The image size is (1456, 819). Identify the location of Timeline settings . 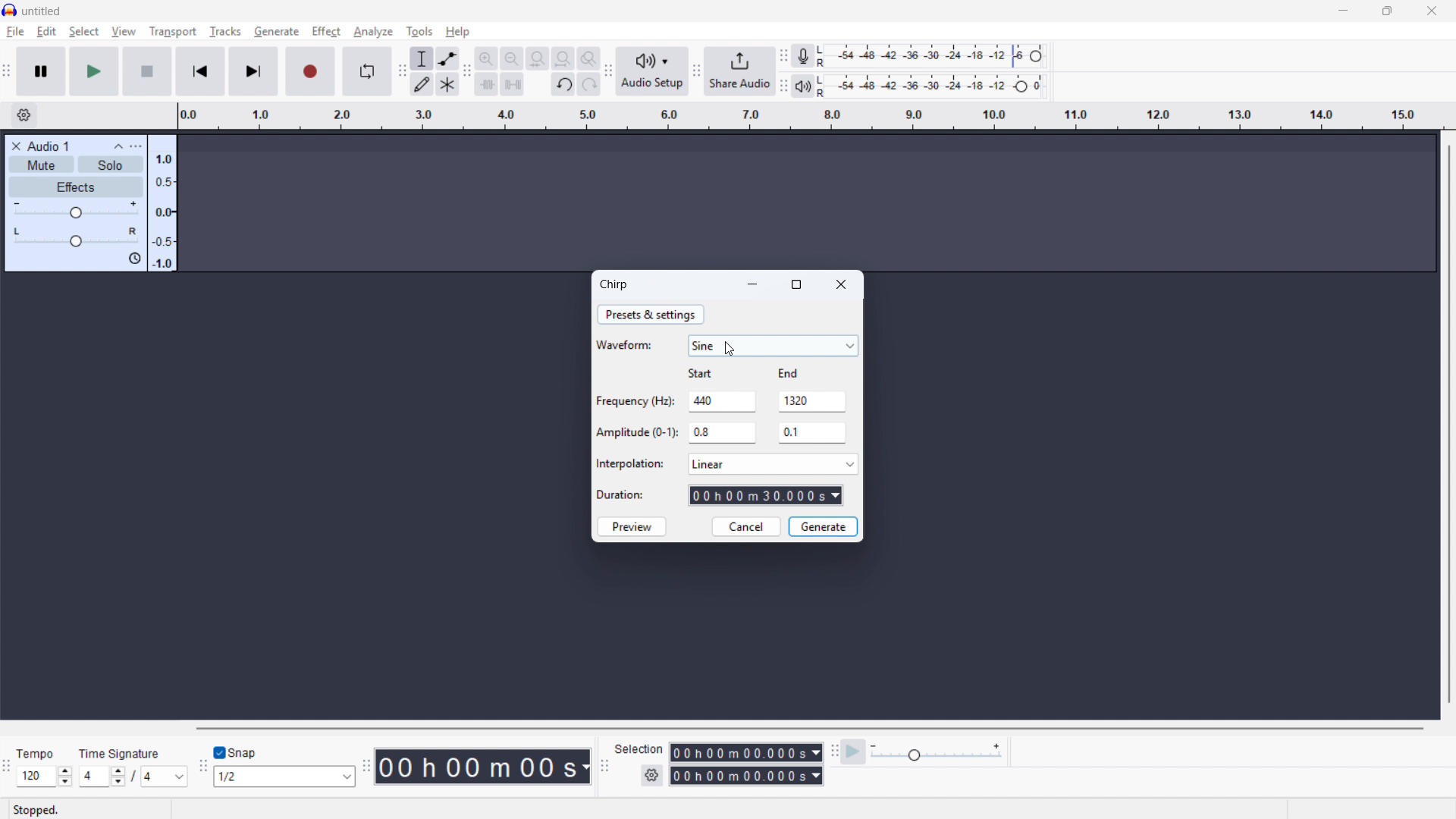
(24, 115).